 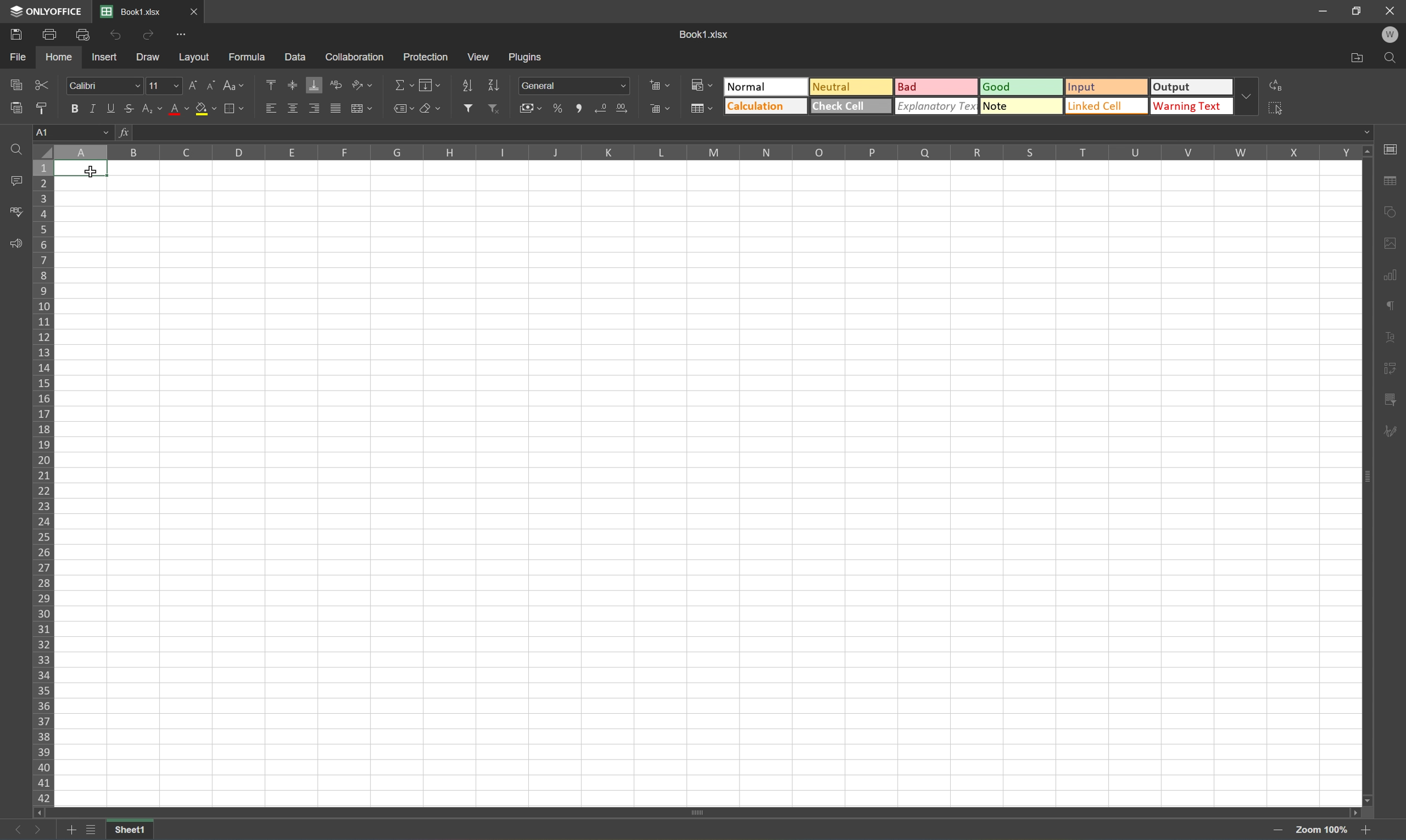 What do you see at coordinates (183, 38) in the screenshot?
I see `Customize Quick Access Toolbar` at bounding box center [183, 38].